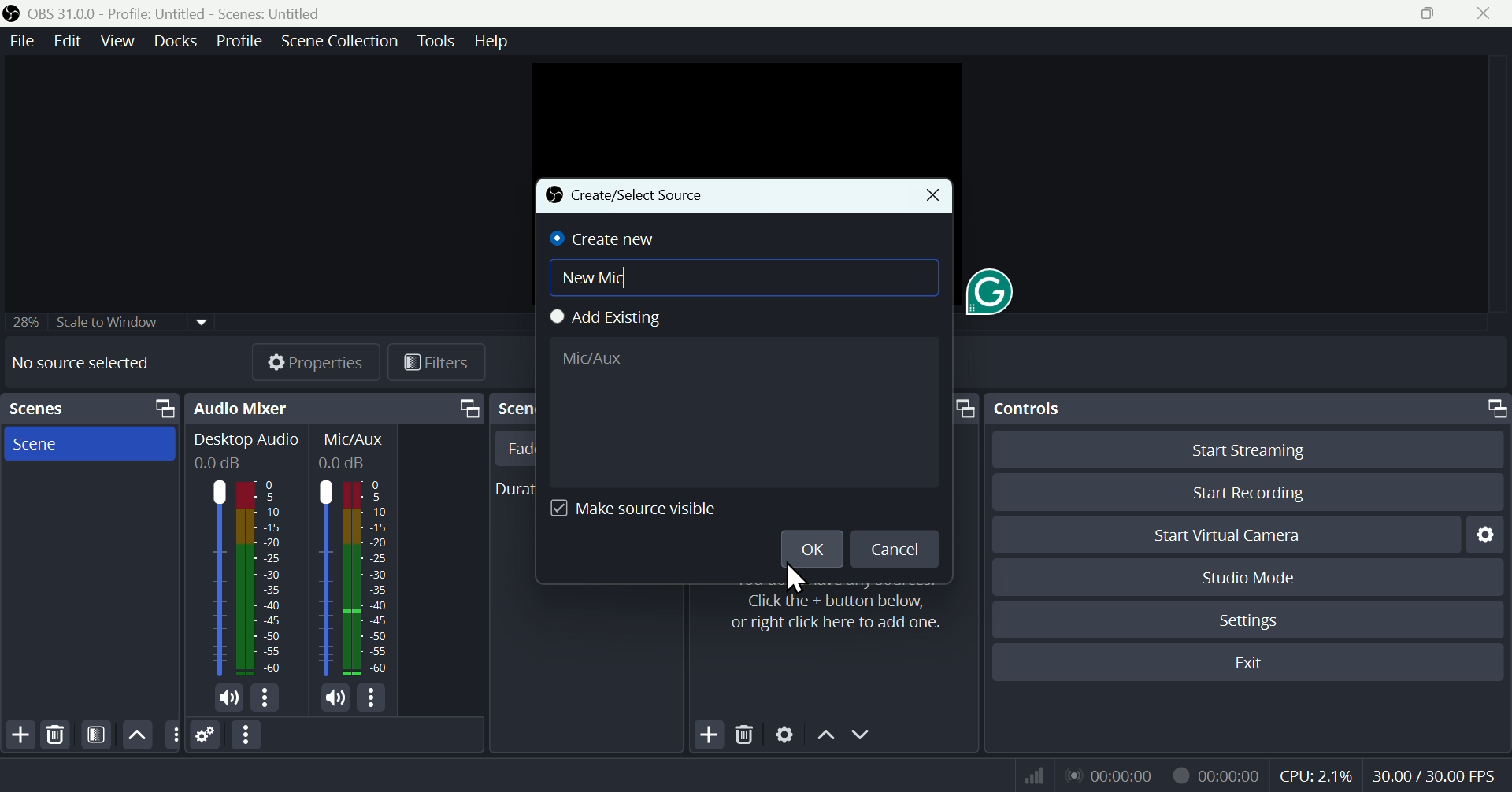 This screenshot has height=792, width=1512. What do you see at coordinates (266, 698) in the screenshot?
I see `More options` at bounding box center [266, 698].